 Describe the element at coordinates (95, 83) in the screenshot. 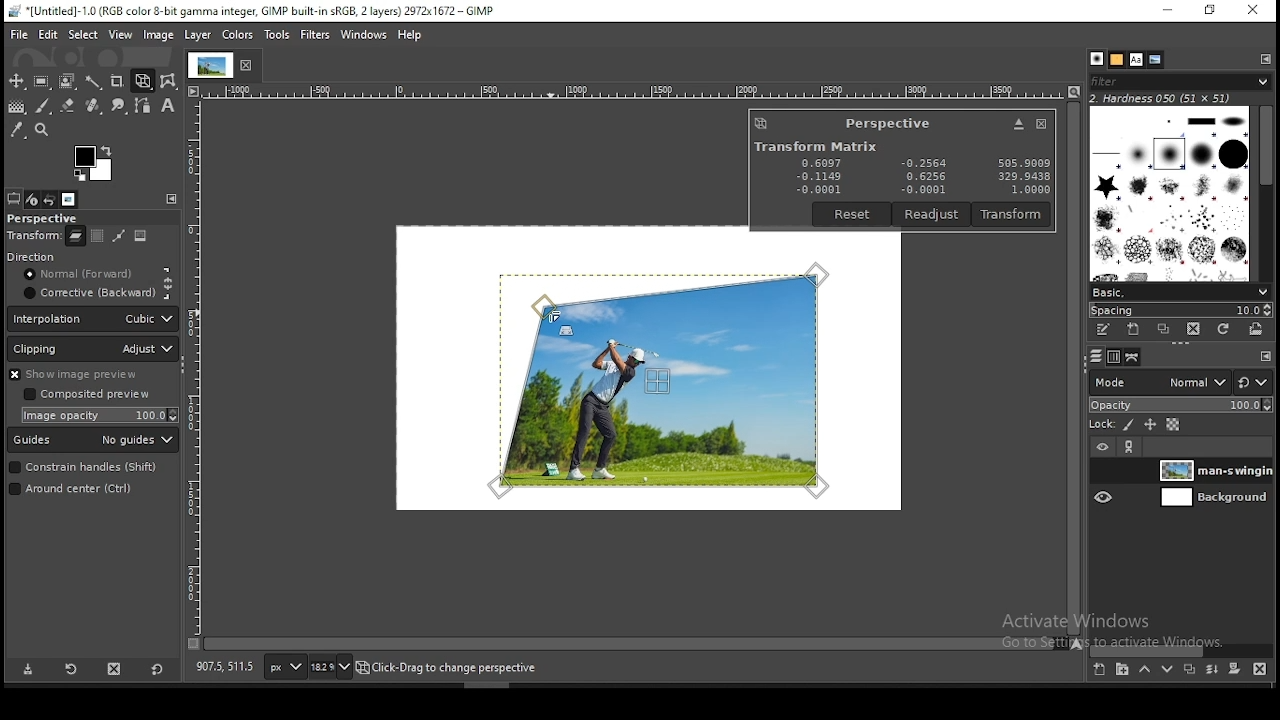

I see `fuzzy select tool` at that location.